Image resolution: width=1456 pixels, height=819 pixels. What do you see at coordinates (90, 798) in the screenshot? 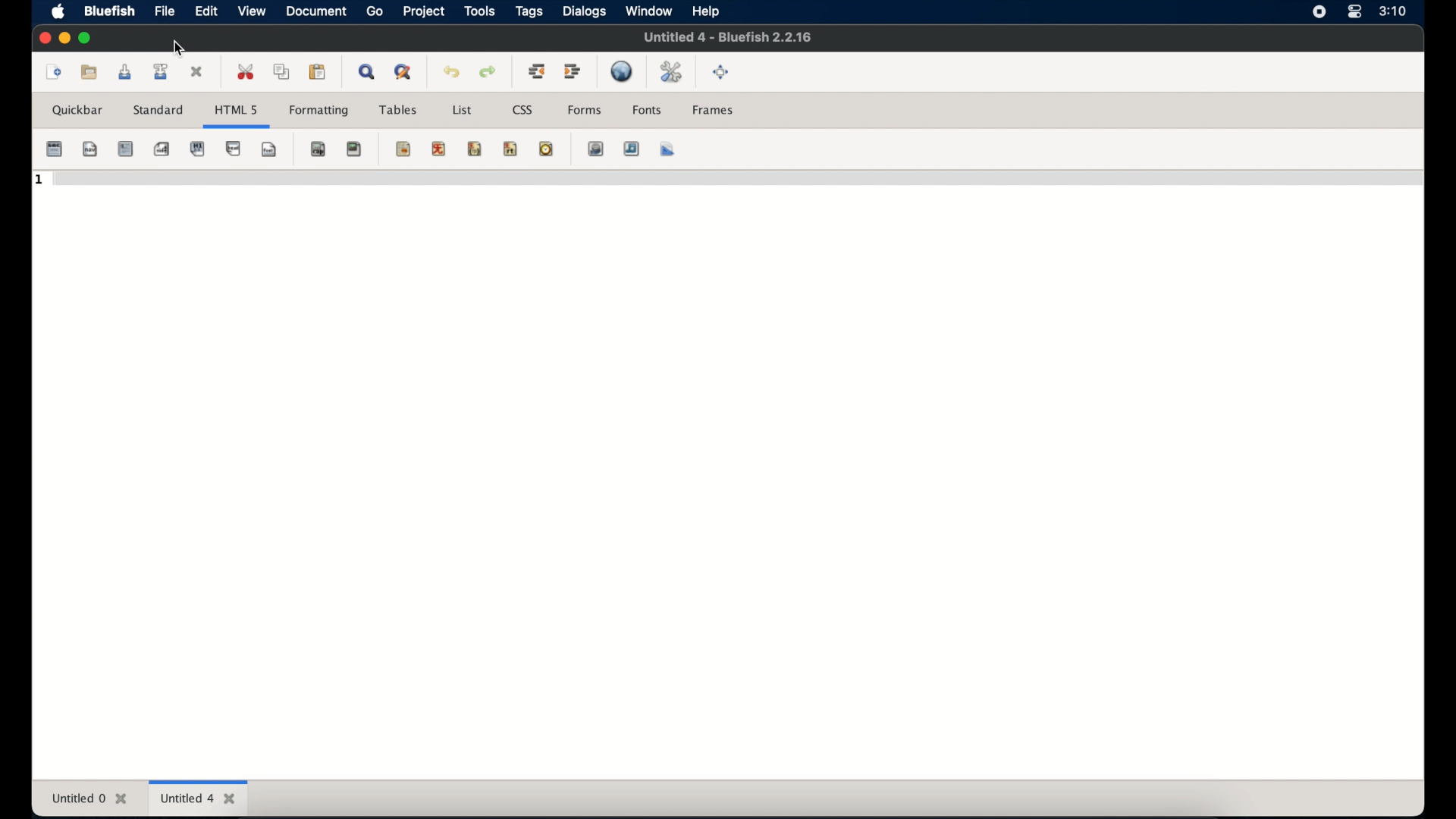
I see `untitled 0` at bounding box center [90, 798].